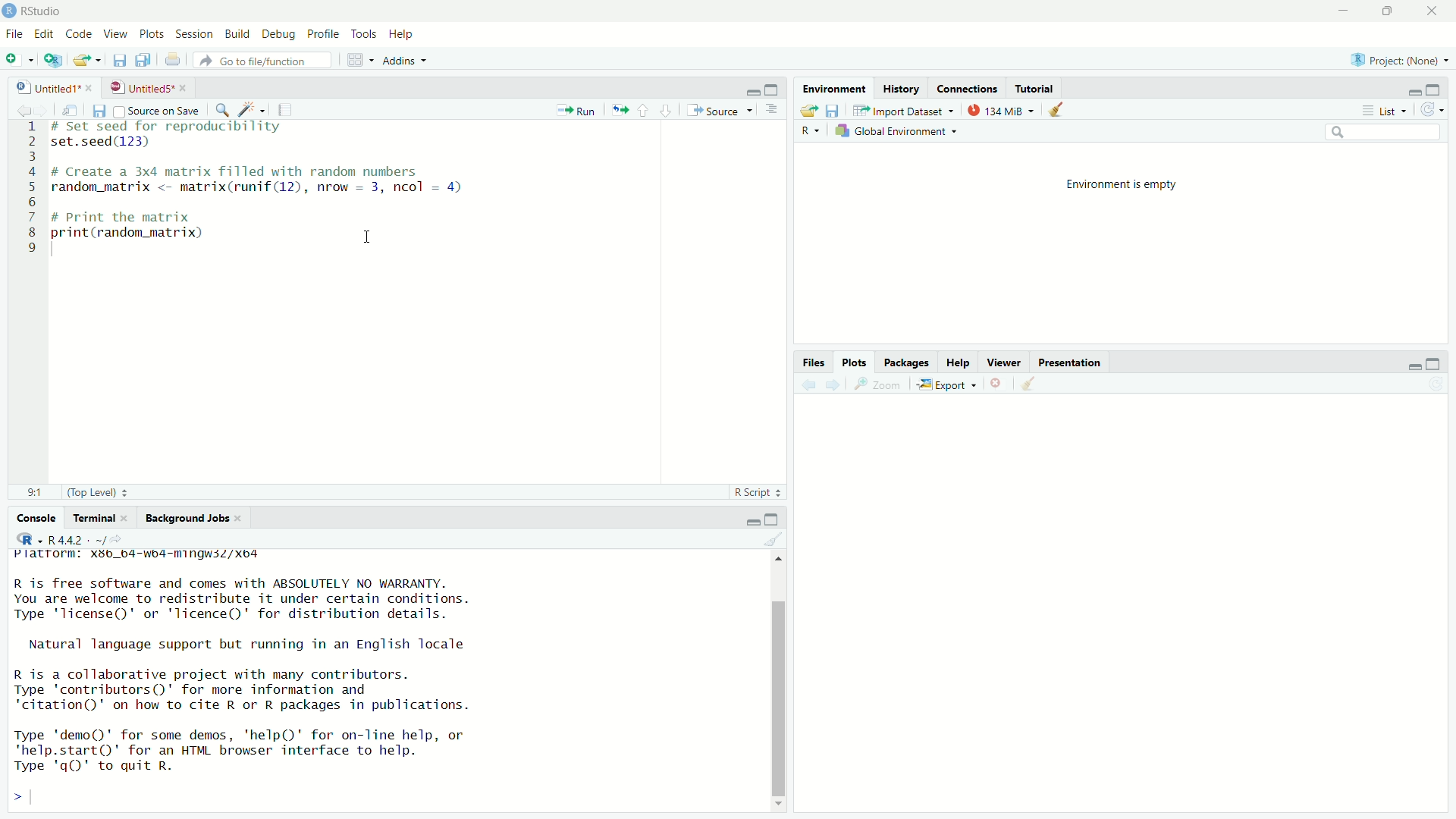  What do you see at coordinates (809, 109) in the screenshot?
I see `export` at bounding box center [809, 109].